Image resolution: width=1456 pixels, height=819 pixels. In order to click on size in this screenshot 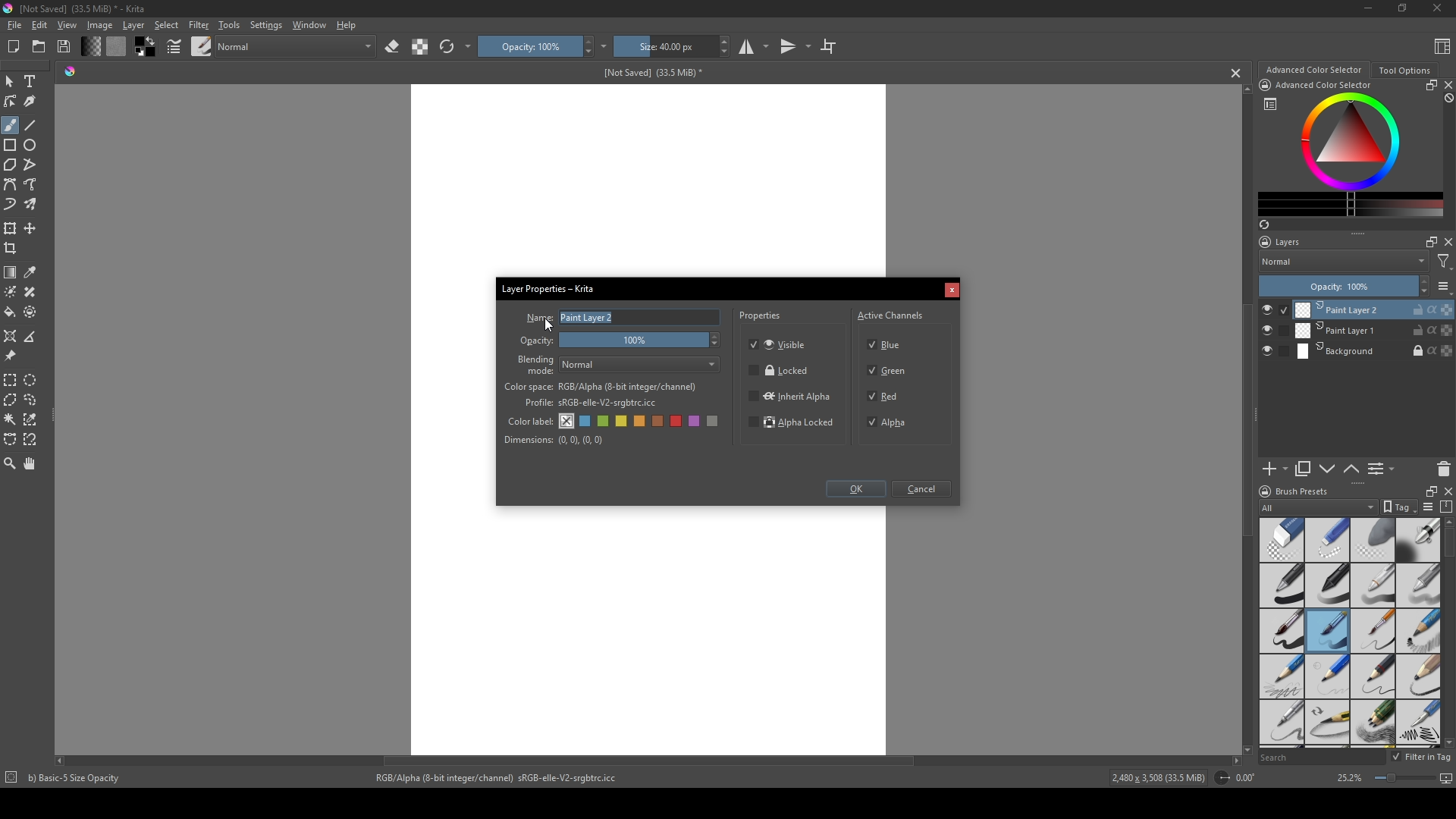, I will do `click(664, 46)`.